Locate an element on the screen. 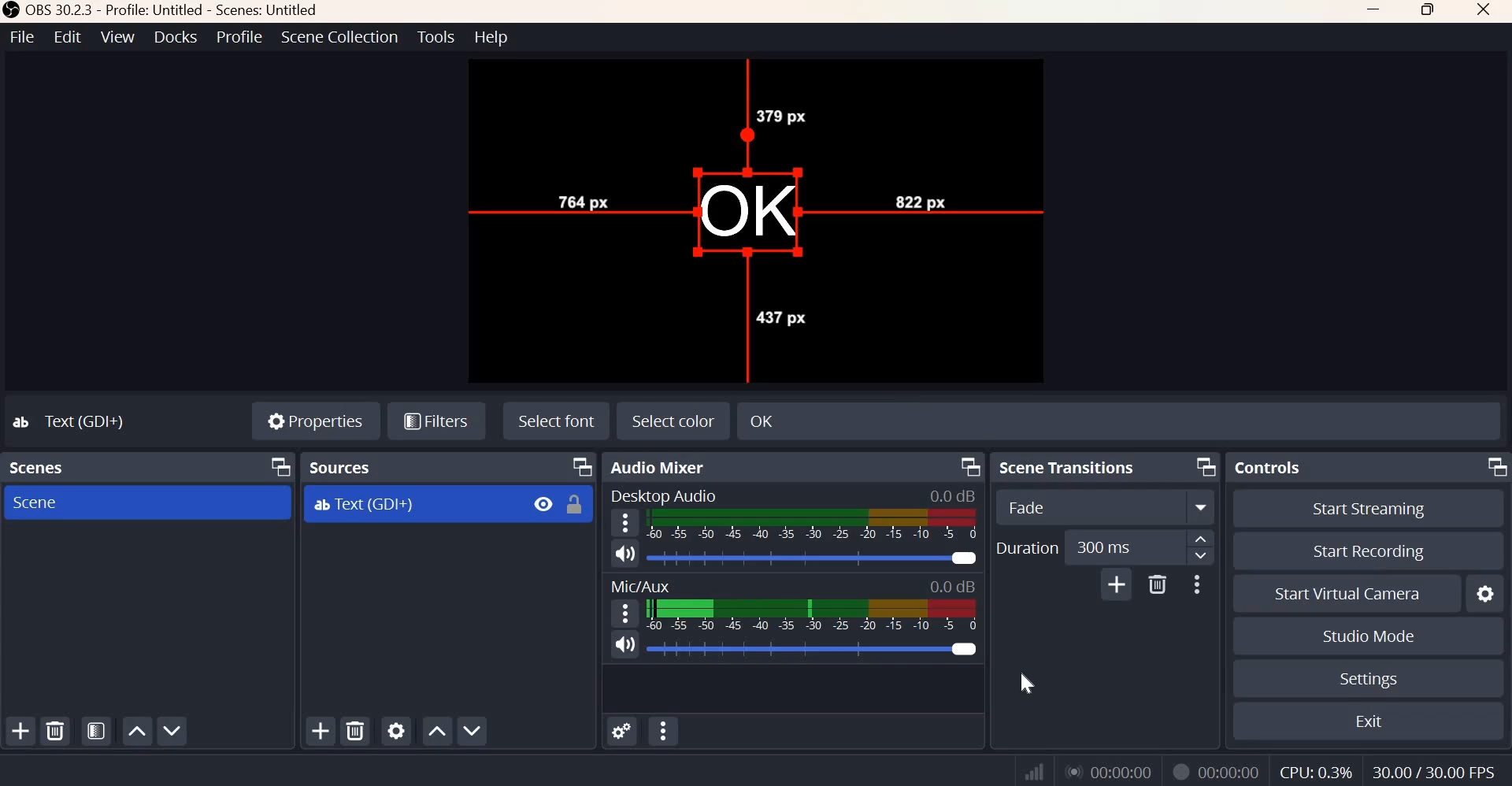 The image size is (1512, 786). Audio Slider is located at coordinates (816, 649).